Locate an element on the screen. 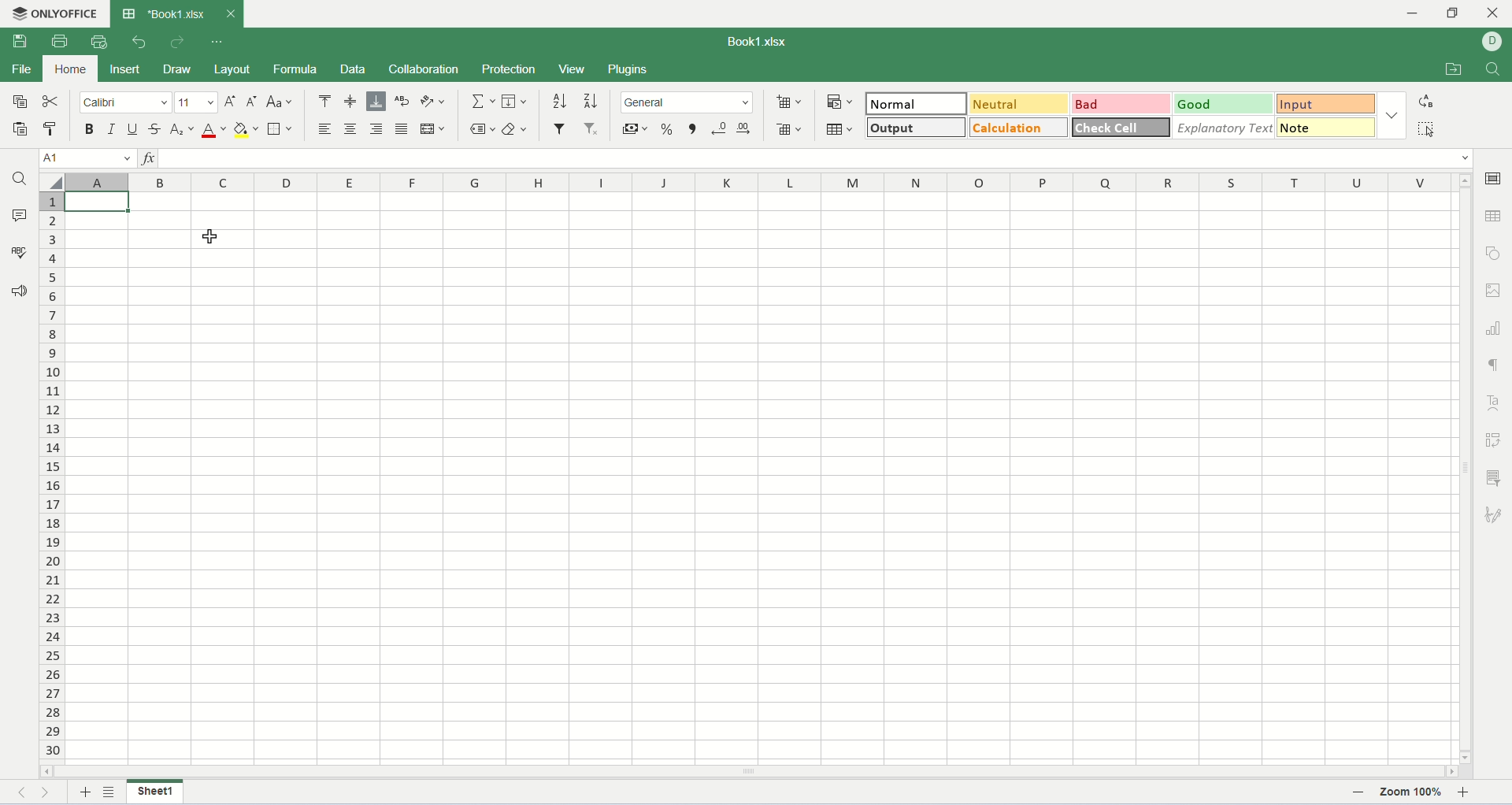 The width and height of the screenshot is (1512, 805). minimize is located at coordinates (1410, 12).